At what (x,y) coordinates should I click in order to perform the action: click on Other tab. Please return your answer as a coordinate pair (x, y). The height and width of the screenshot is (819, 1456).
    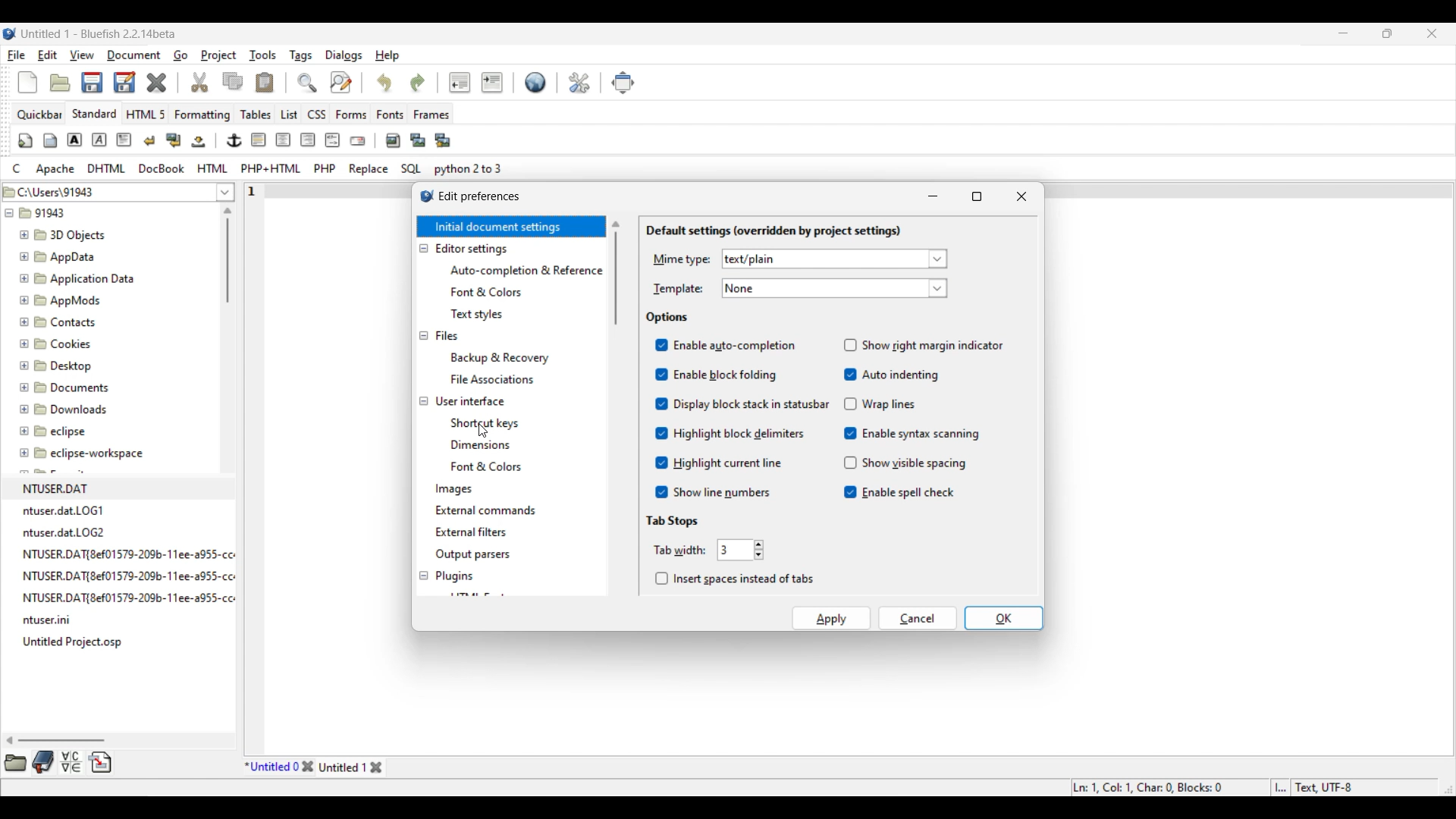
    Looking at the image, I should click on (352, 767).